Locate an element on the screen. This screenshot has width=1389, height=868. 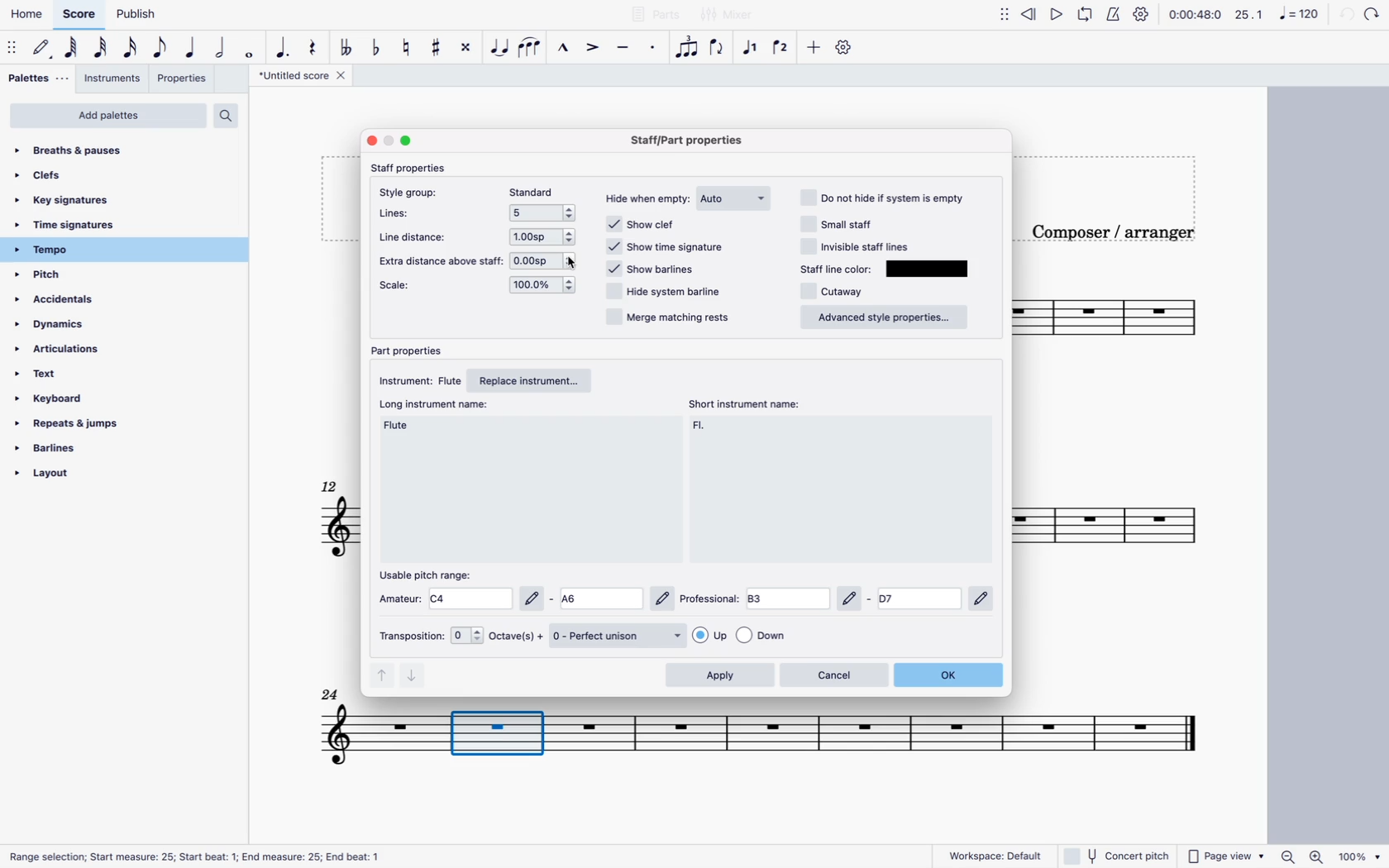
minimize is located at coordinates (389, 140).